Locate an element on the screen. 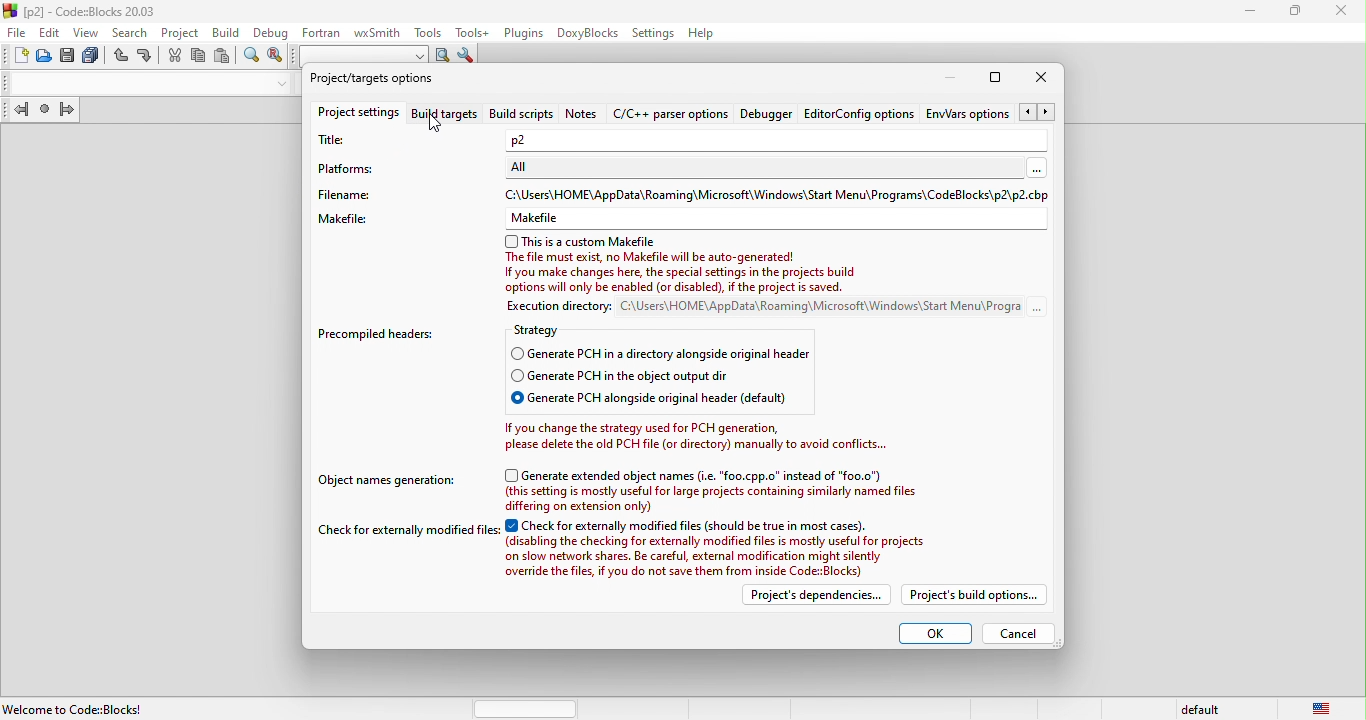 This screenshot has width=1366, height=720. (disabling the checking for externally modified files is mostly useful for projects
on slow network shares. Be careful, extemal modification might silently.
ovanide the fies. ¥ vou do net seve them rom inside CofeBioria) is located at coordinates (725, 557).